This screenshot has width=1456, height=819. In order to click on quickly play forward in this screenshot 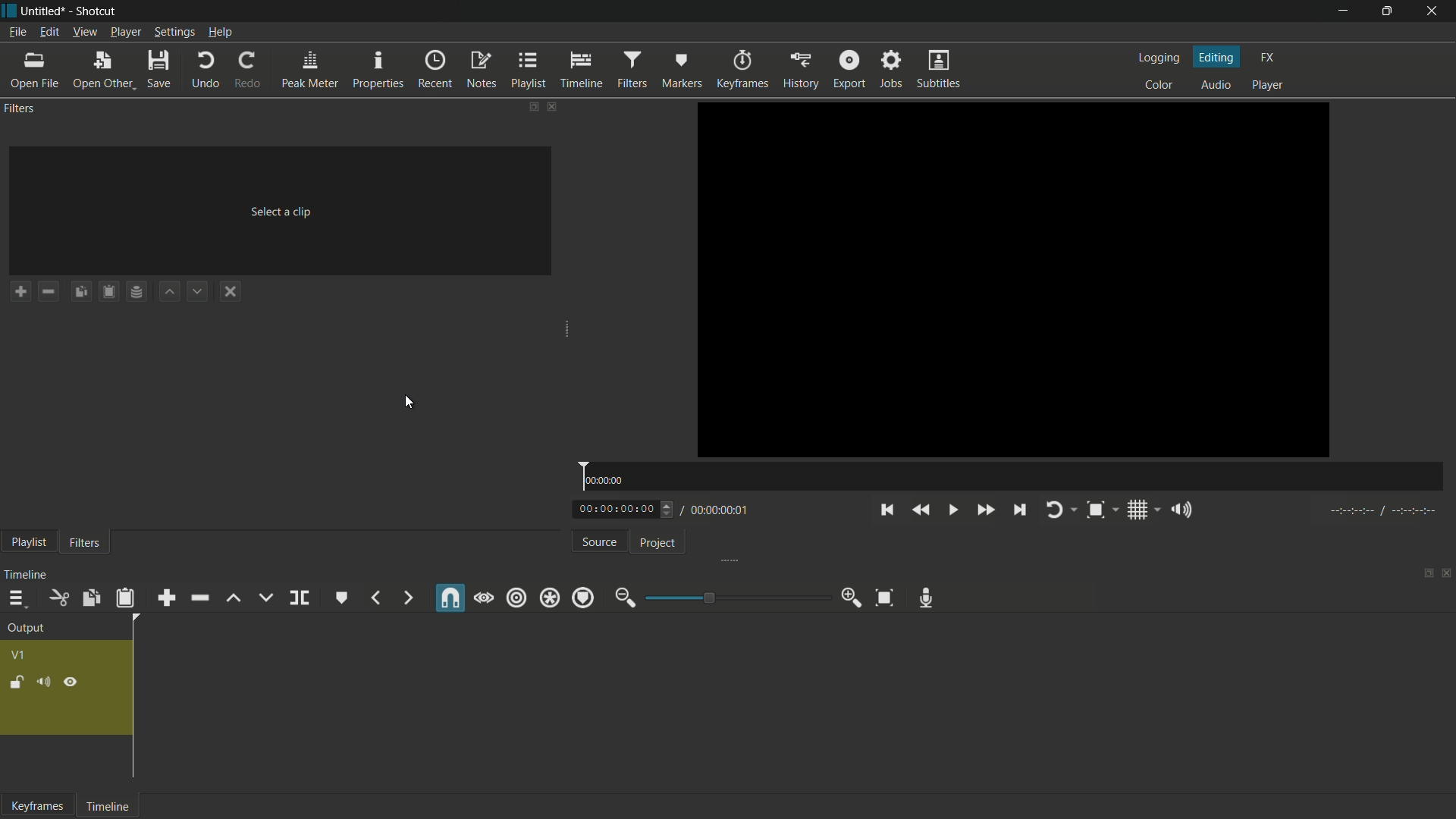, I will do `click(982, 510)`.